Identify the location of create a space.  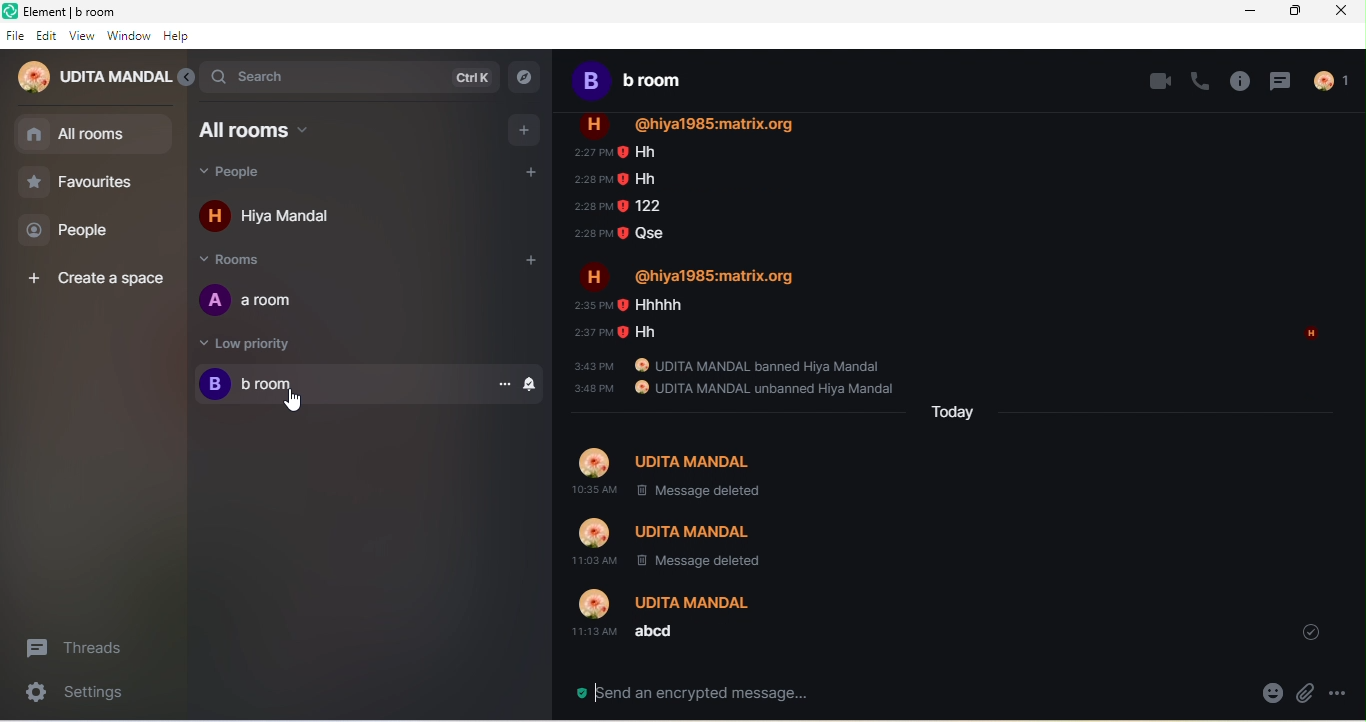
(93, 275).